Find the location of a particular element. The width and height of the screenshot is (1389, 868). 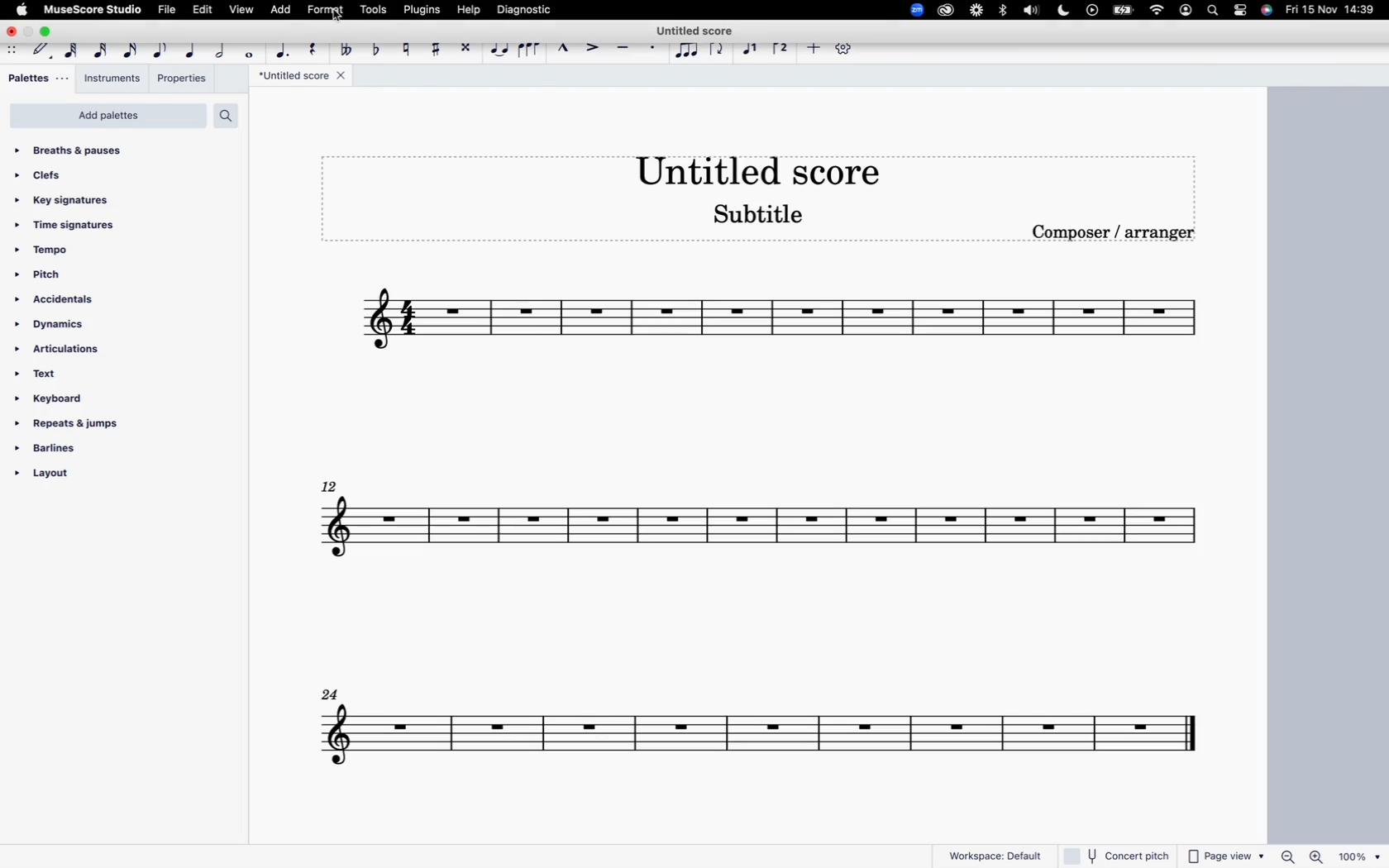

play is located at coordinates (1091, 11).